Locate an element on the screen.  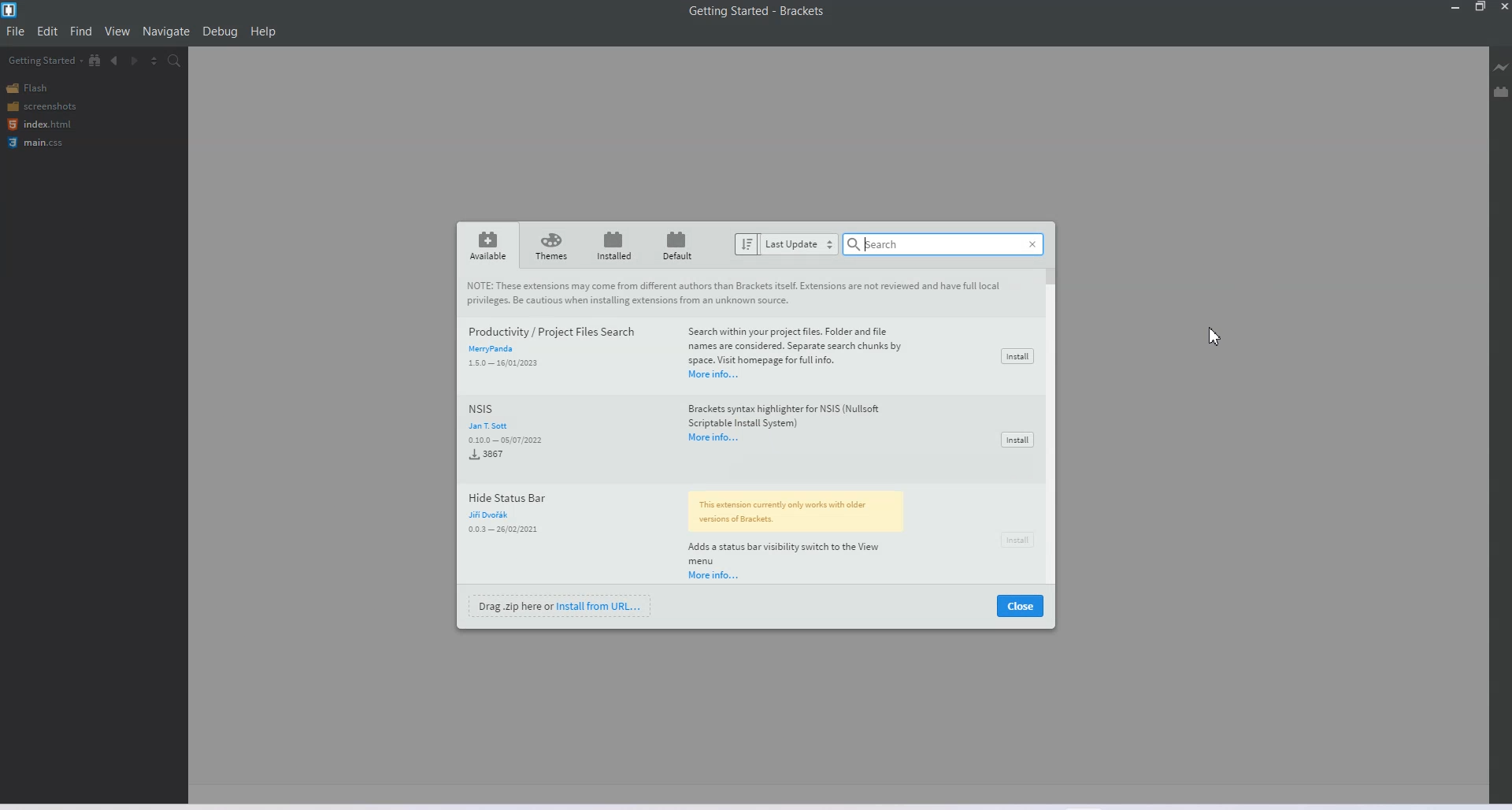
Edit is located at coordinates (47, 32).